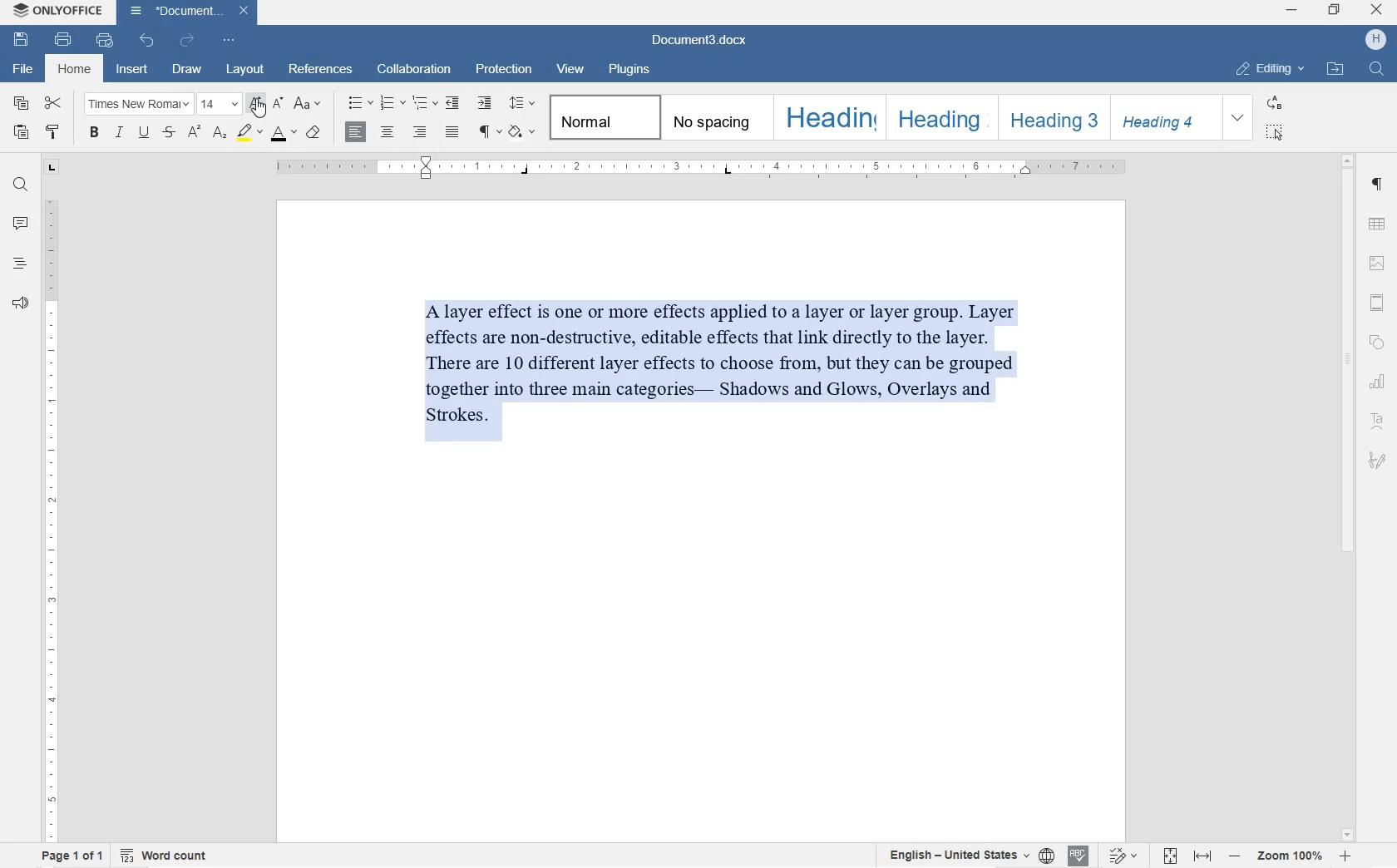  I want to click on font size, so click(218, 104).